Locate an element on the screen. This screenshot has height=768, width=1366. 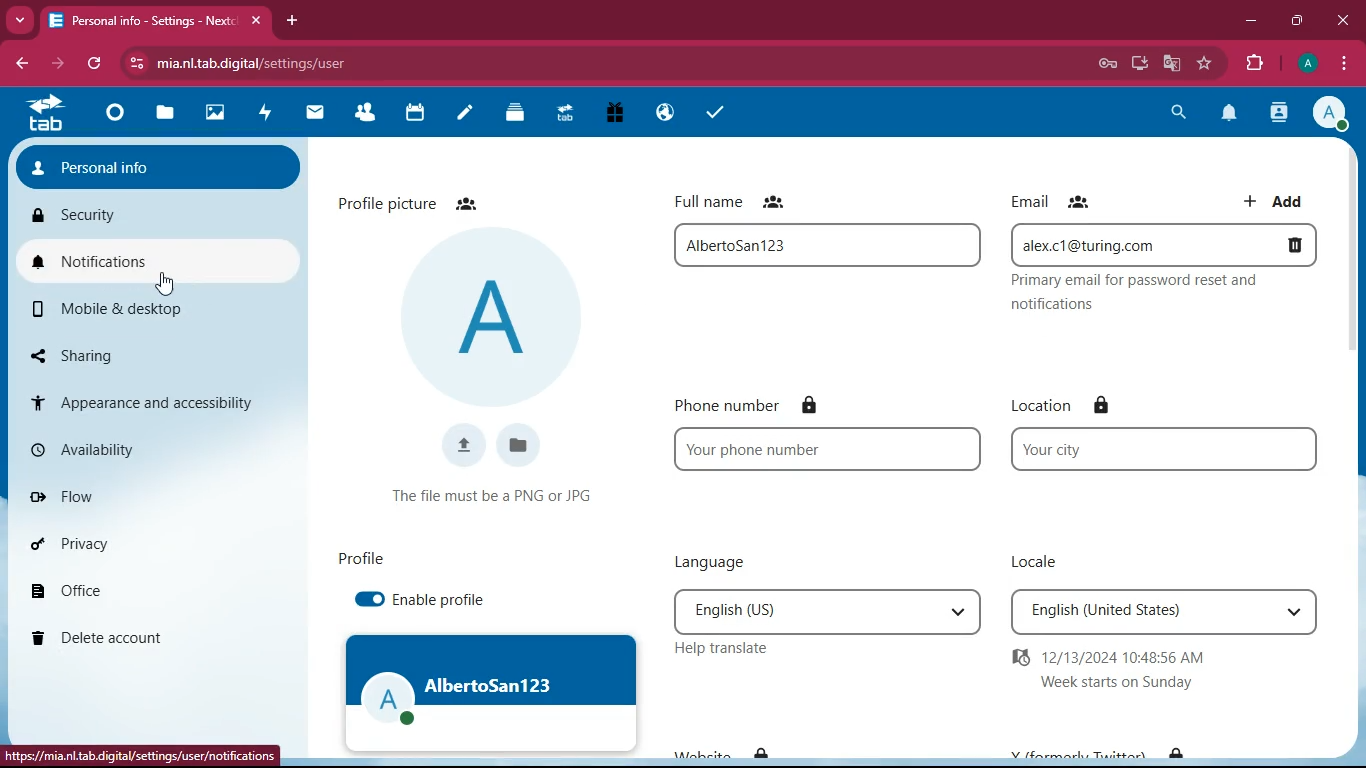
email is located at coordinates (1029, 200).